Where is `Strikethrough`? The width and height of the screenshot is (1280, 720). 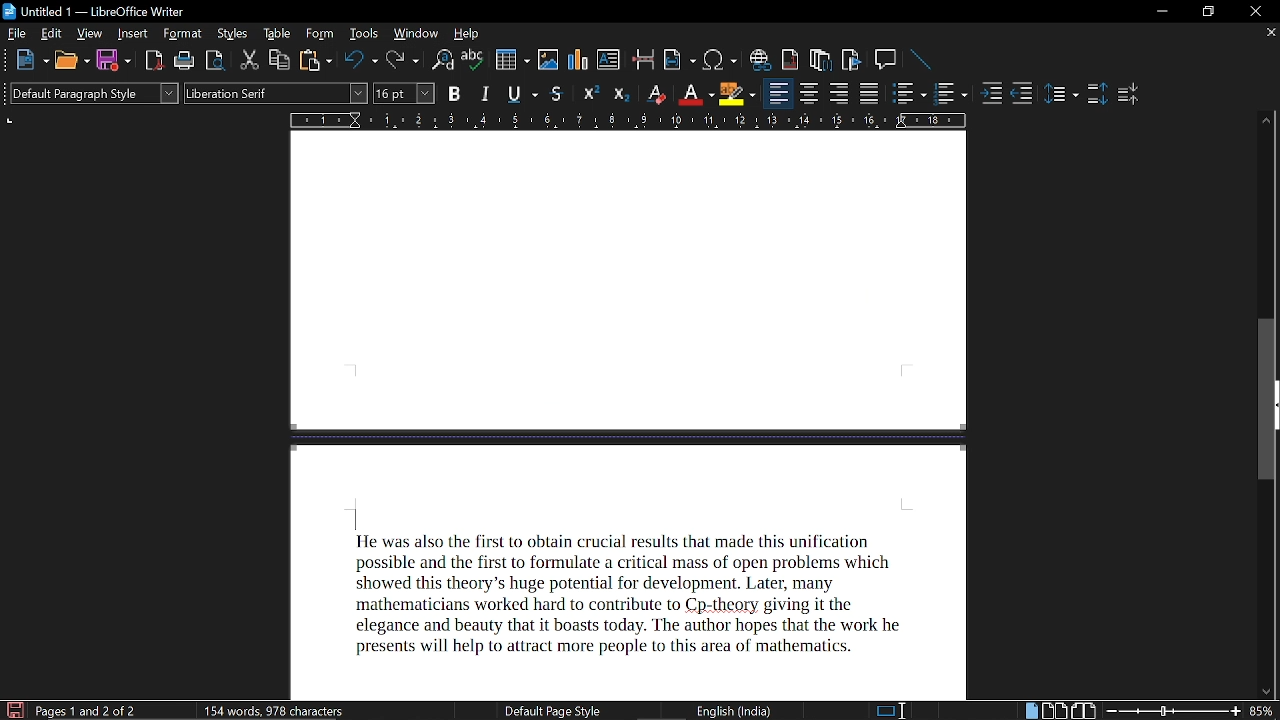
Strikethrough is located at coordinates (558, 94).